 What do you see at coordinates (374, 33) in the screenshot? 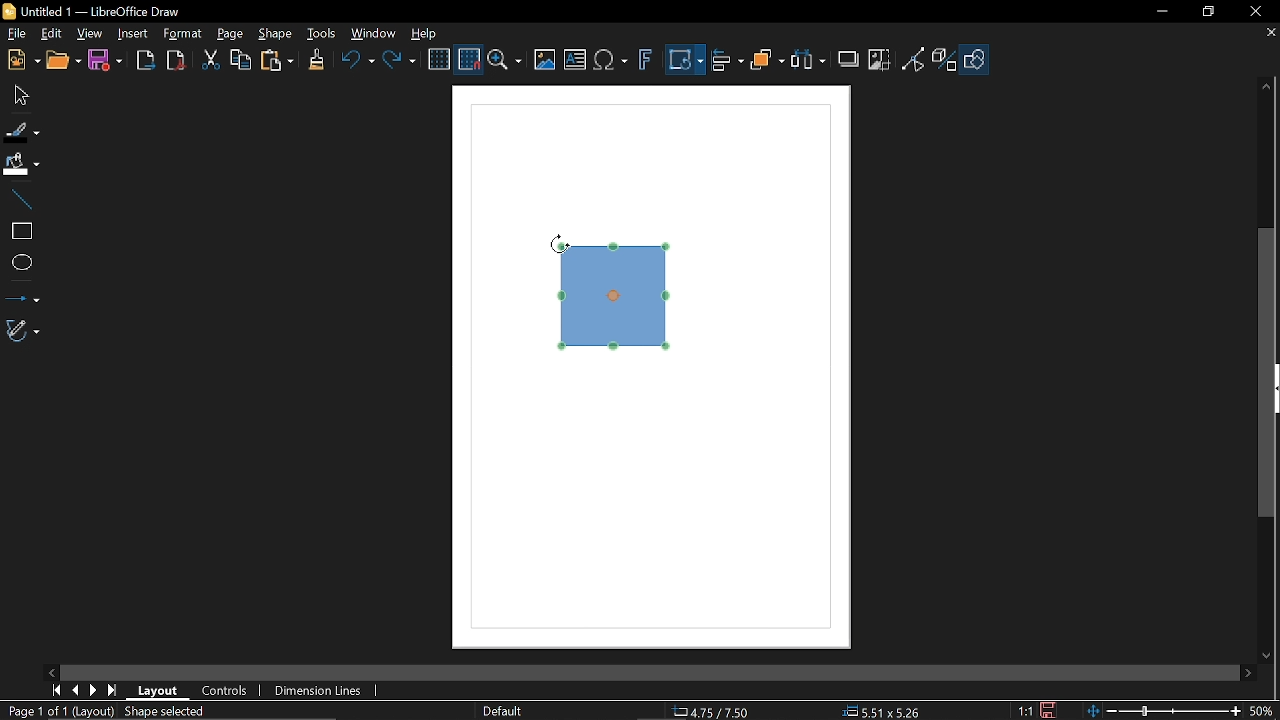
I see `Window` at bounding box center [374, 33].